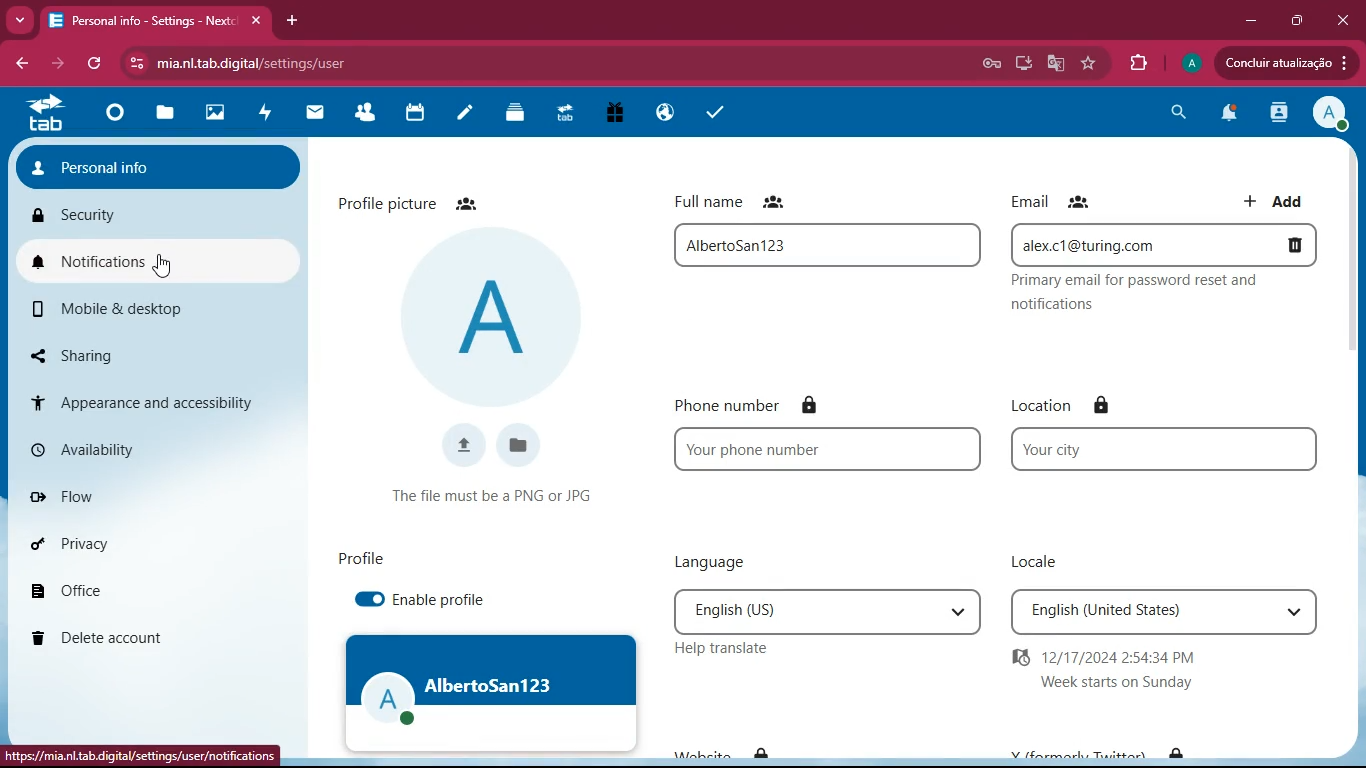  What do you see at coordinates (562, 117) in the screenshot?
I see `tab` at bounding box center [562, 117].